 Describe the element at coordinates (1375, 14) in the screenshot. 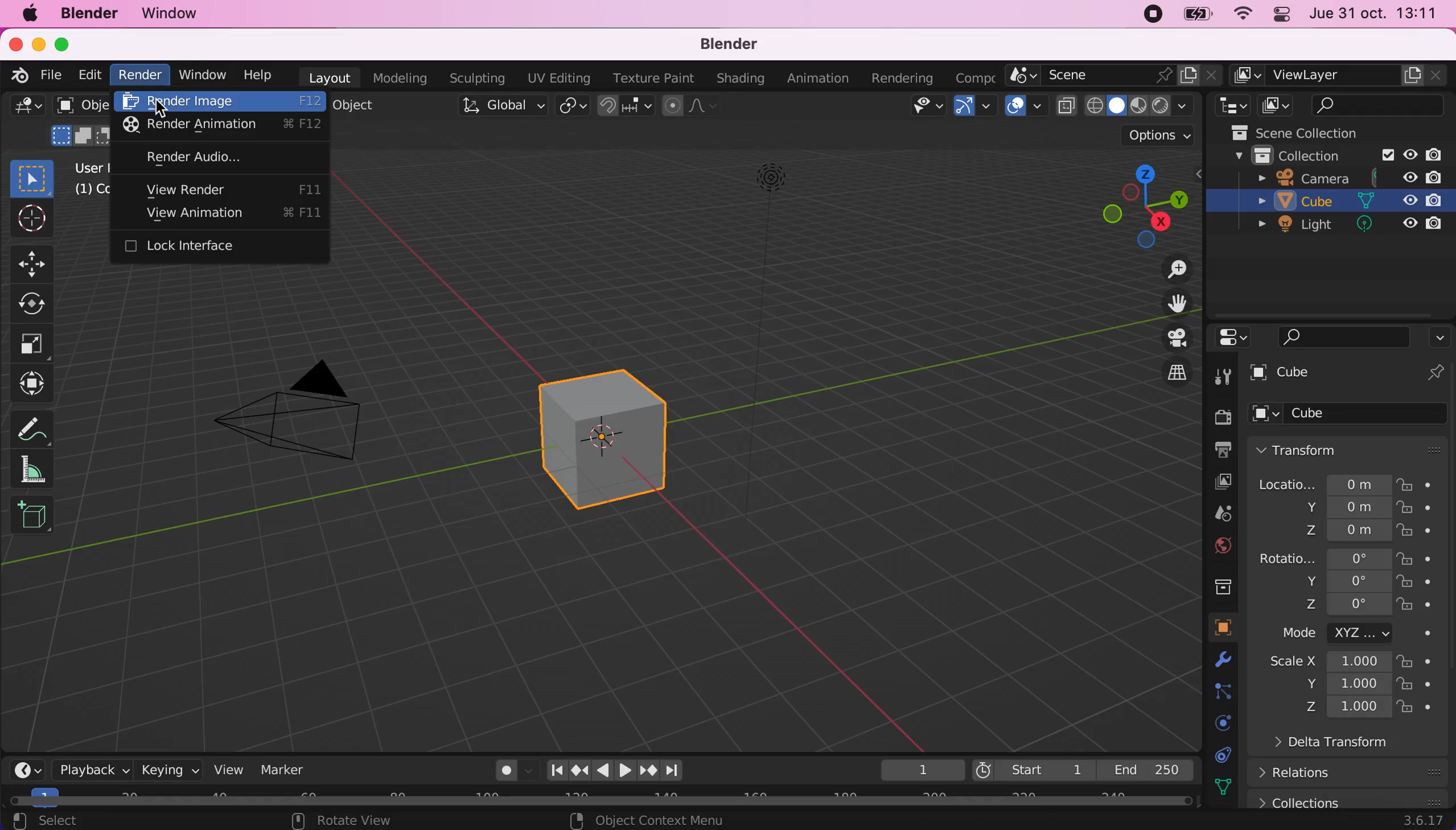

I see `jue 31 oct. 13:11` at that location.